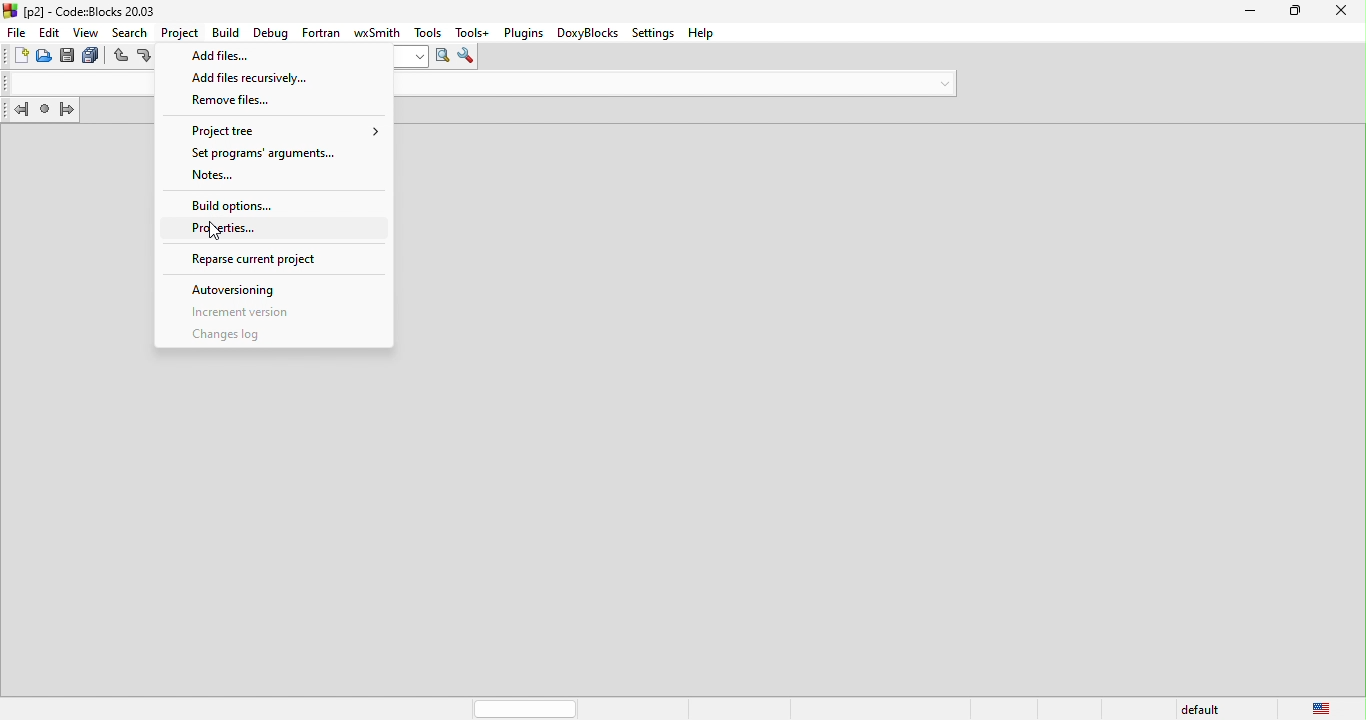 This screenshot has width=1366, height=720. What do you see at coordinates (94, 57) in the screenshot?
I see `save everything` at bounding box center [94, 57].